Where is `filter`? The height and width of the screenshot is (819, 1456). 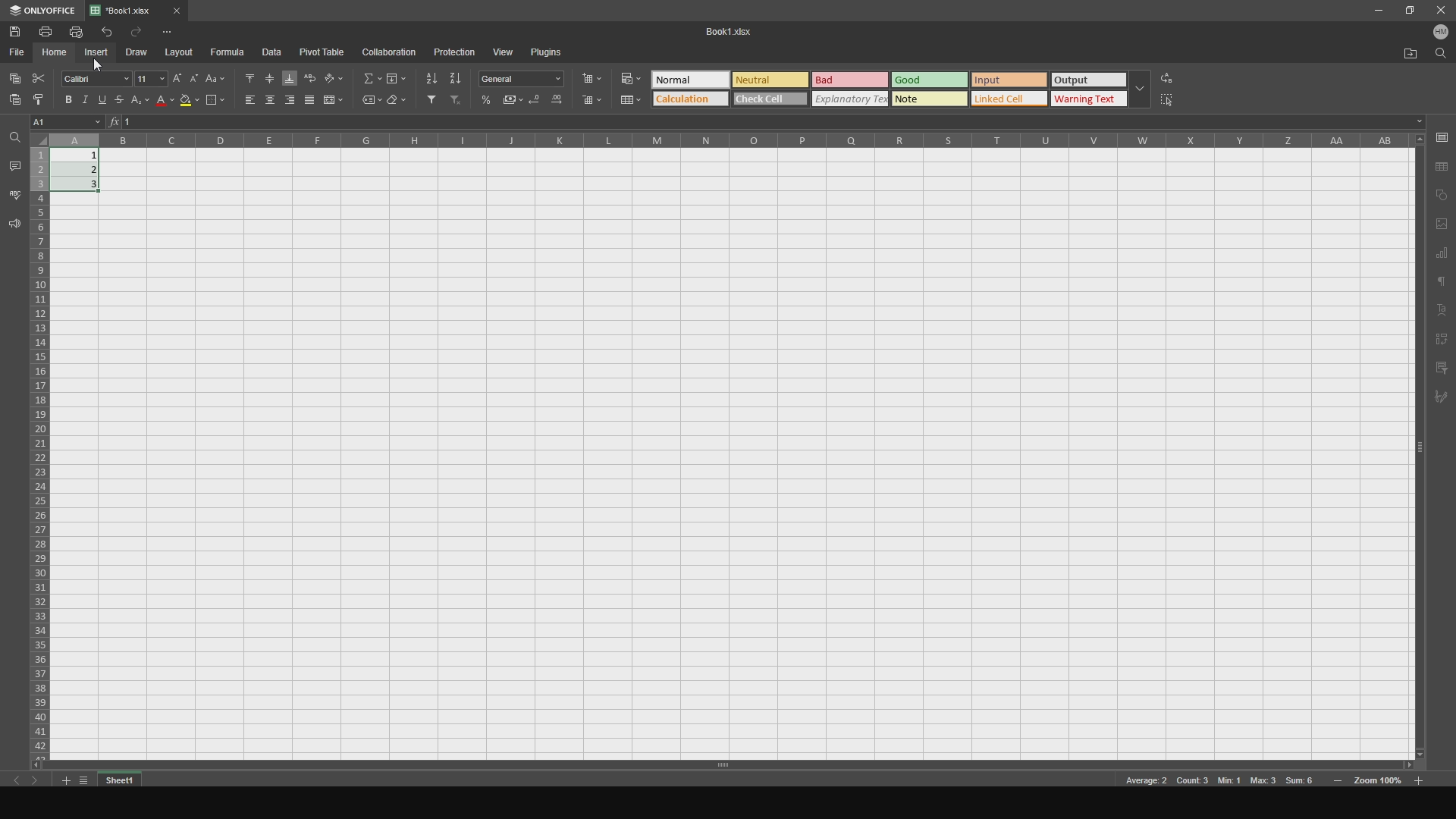
filter is located at coordinates (1442, 367).